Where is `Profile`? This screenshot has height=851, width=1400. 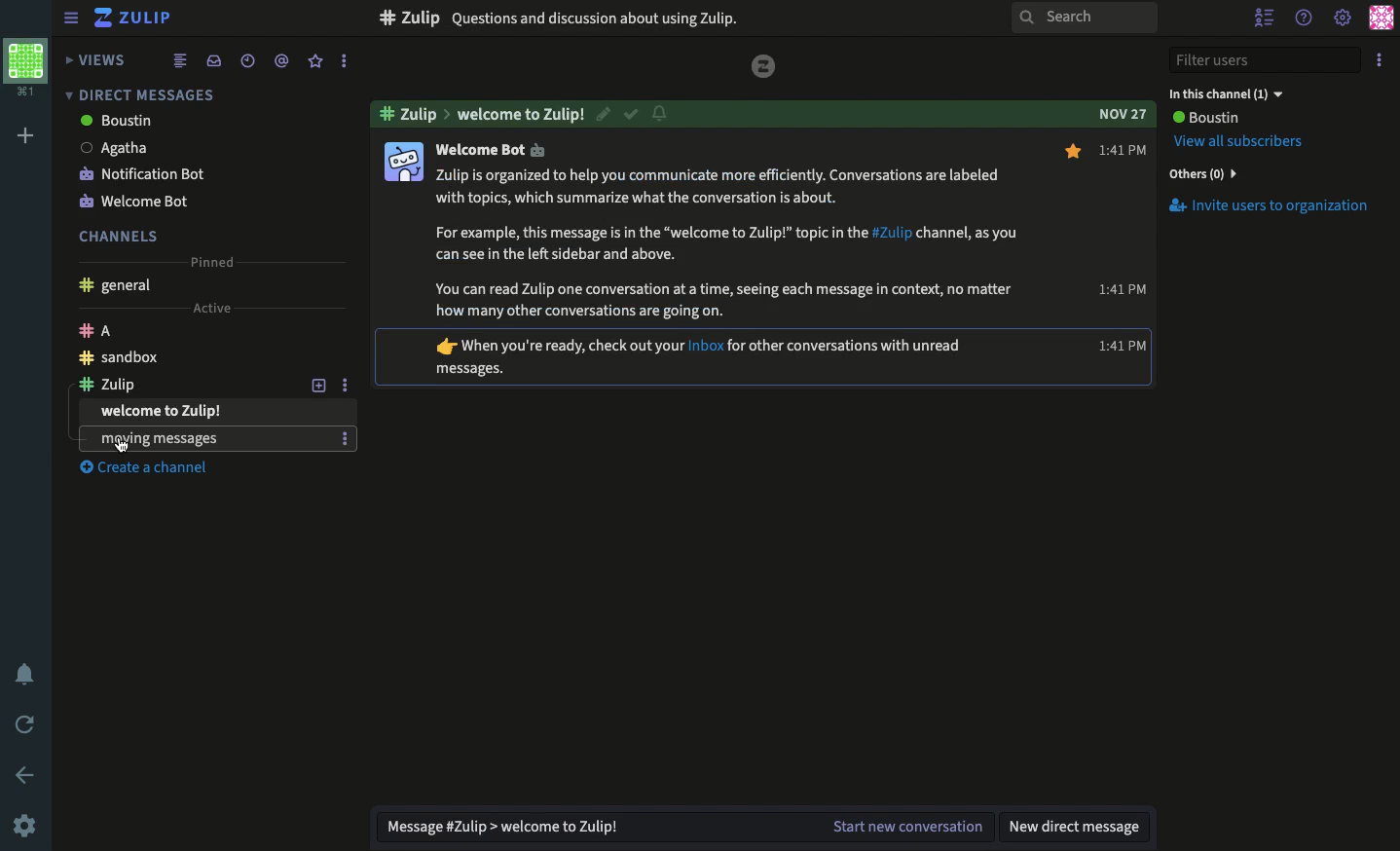
Profile is located at coordinates (402, 163).